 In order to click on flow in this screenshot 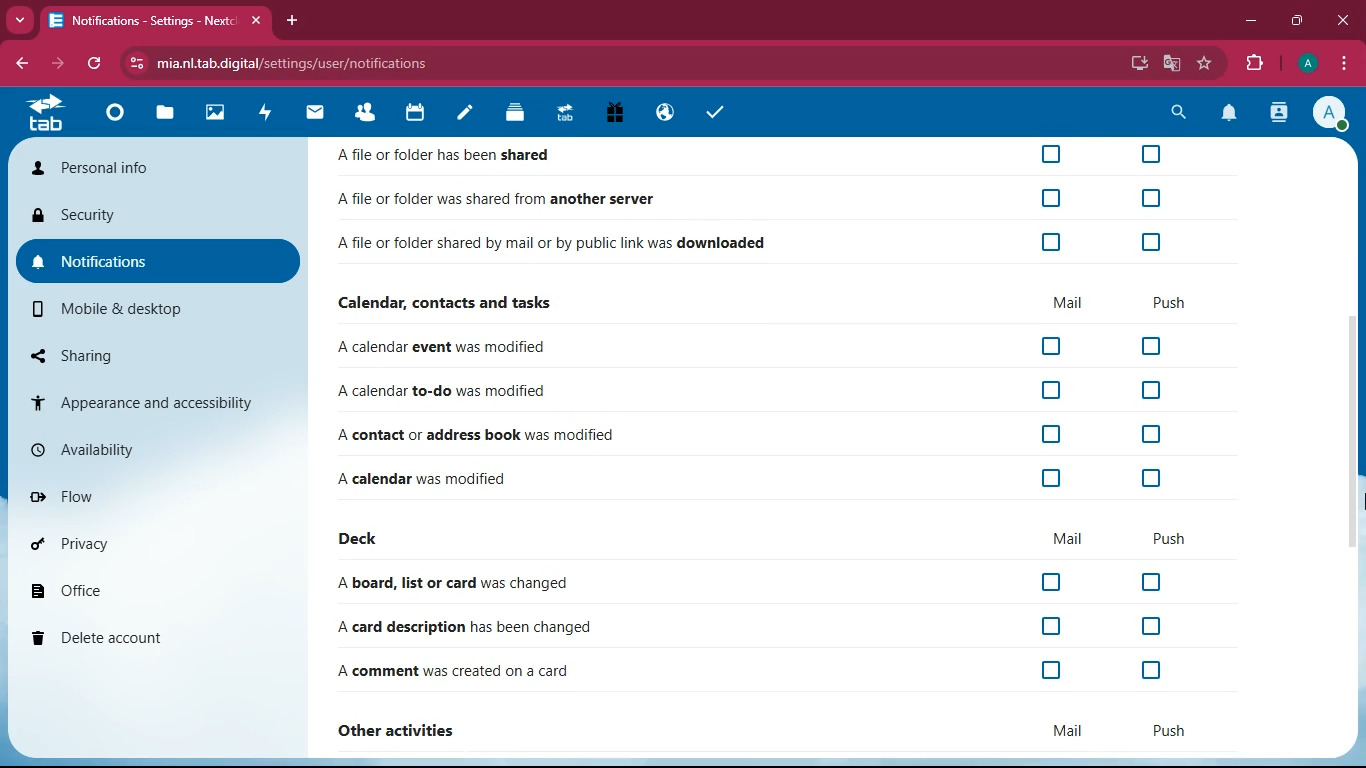, I will do `click(152, 494)`.